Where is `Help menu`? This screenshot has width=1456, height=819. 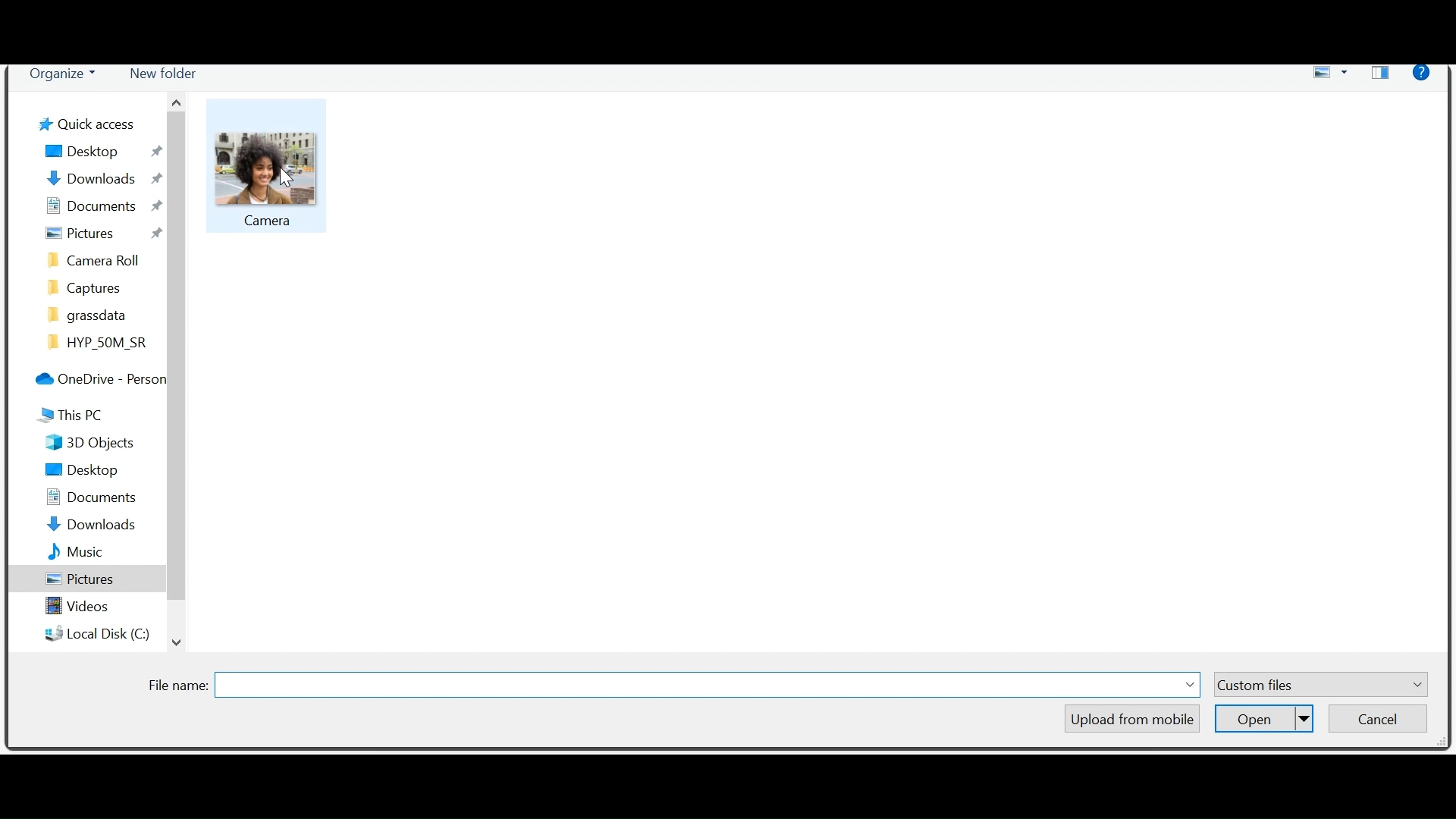
Help menu is located at coordinates (1421, 75).